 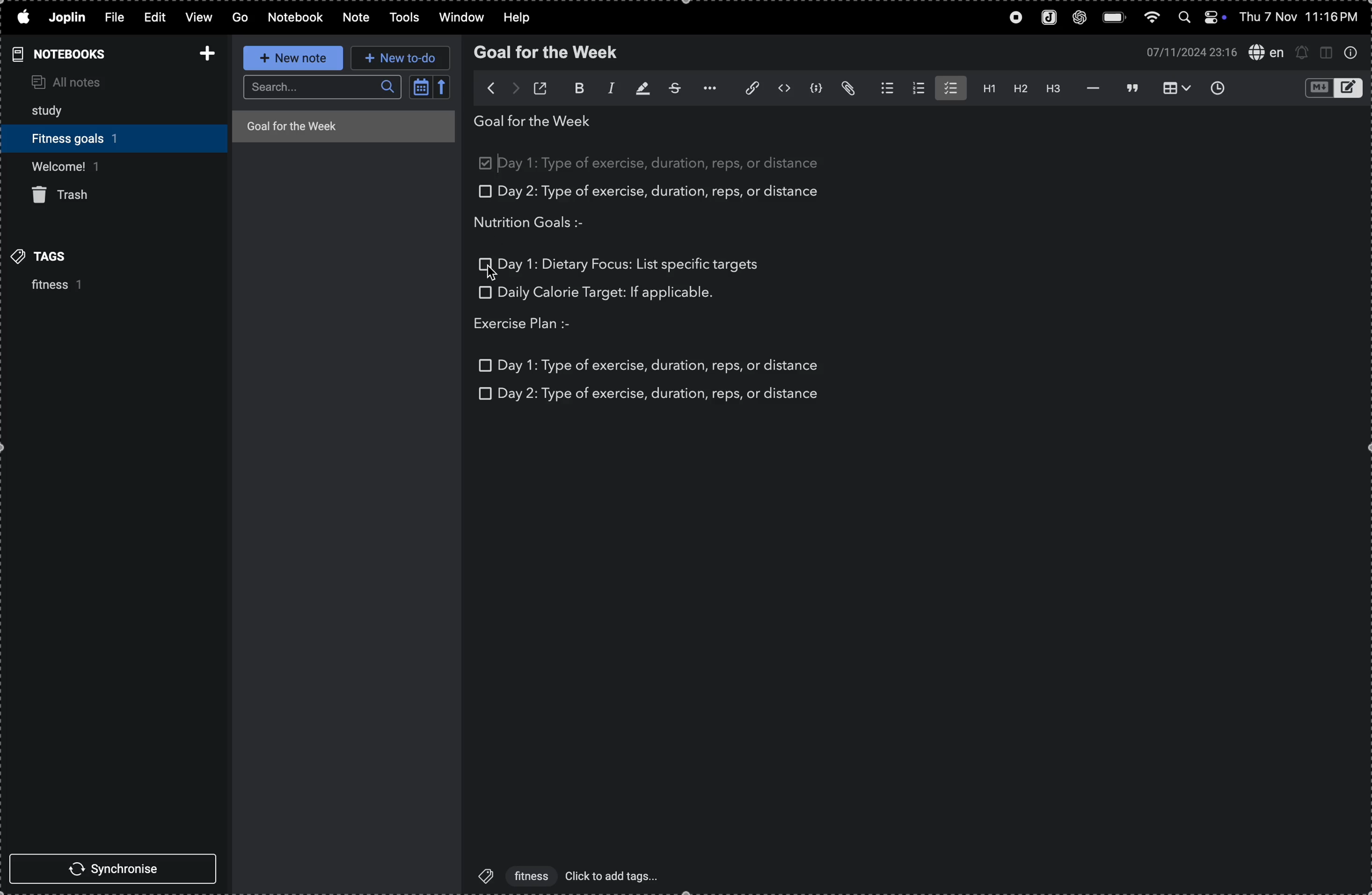 What do you see at coordinates (665, 192) in the screenshot?
I see `day 2: type of exercise, duration, reps, or distance ` at bounding box center [665, 192].